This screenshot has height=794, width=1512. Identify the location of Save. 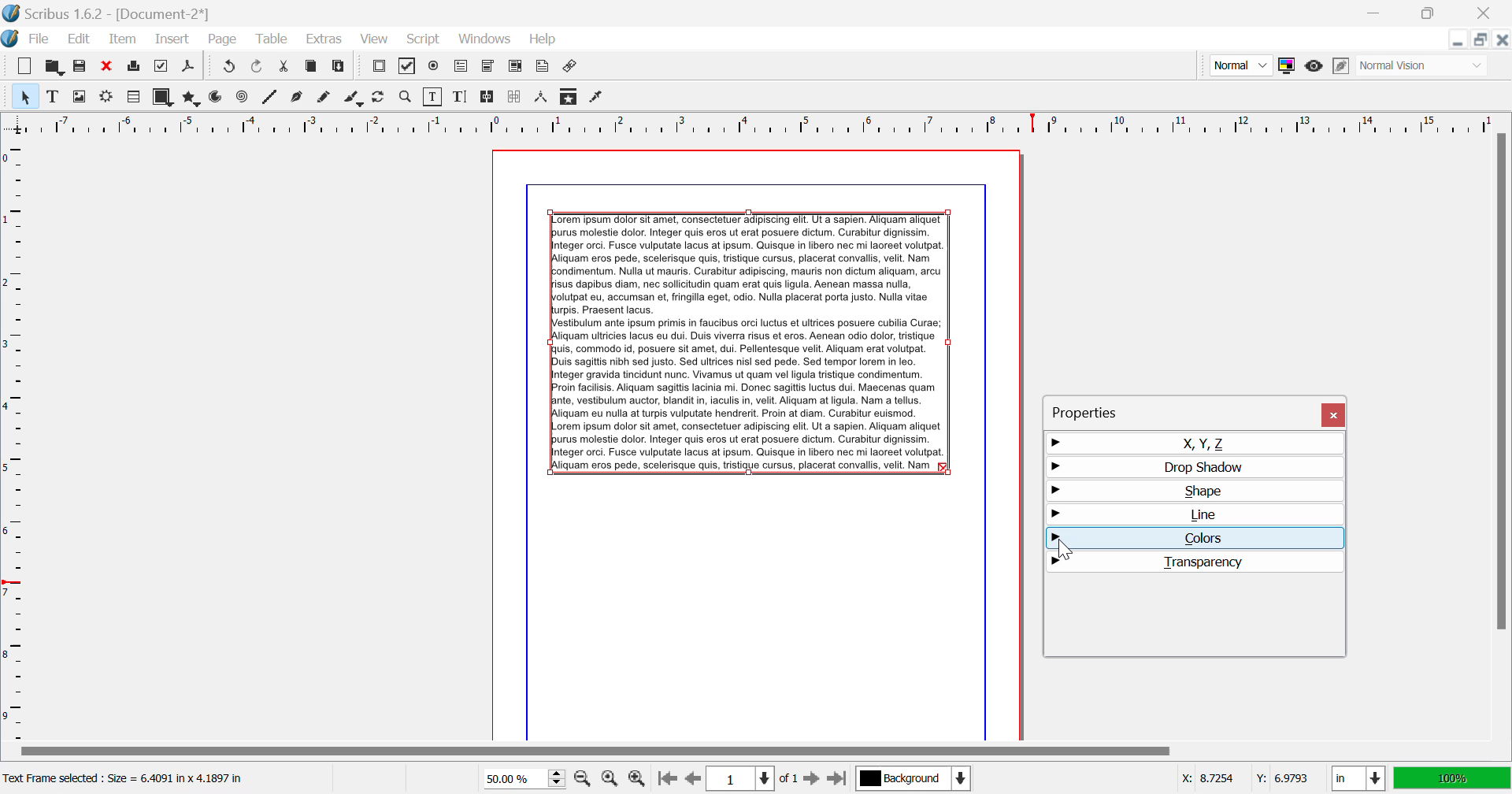
(80, 66).